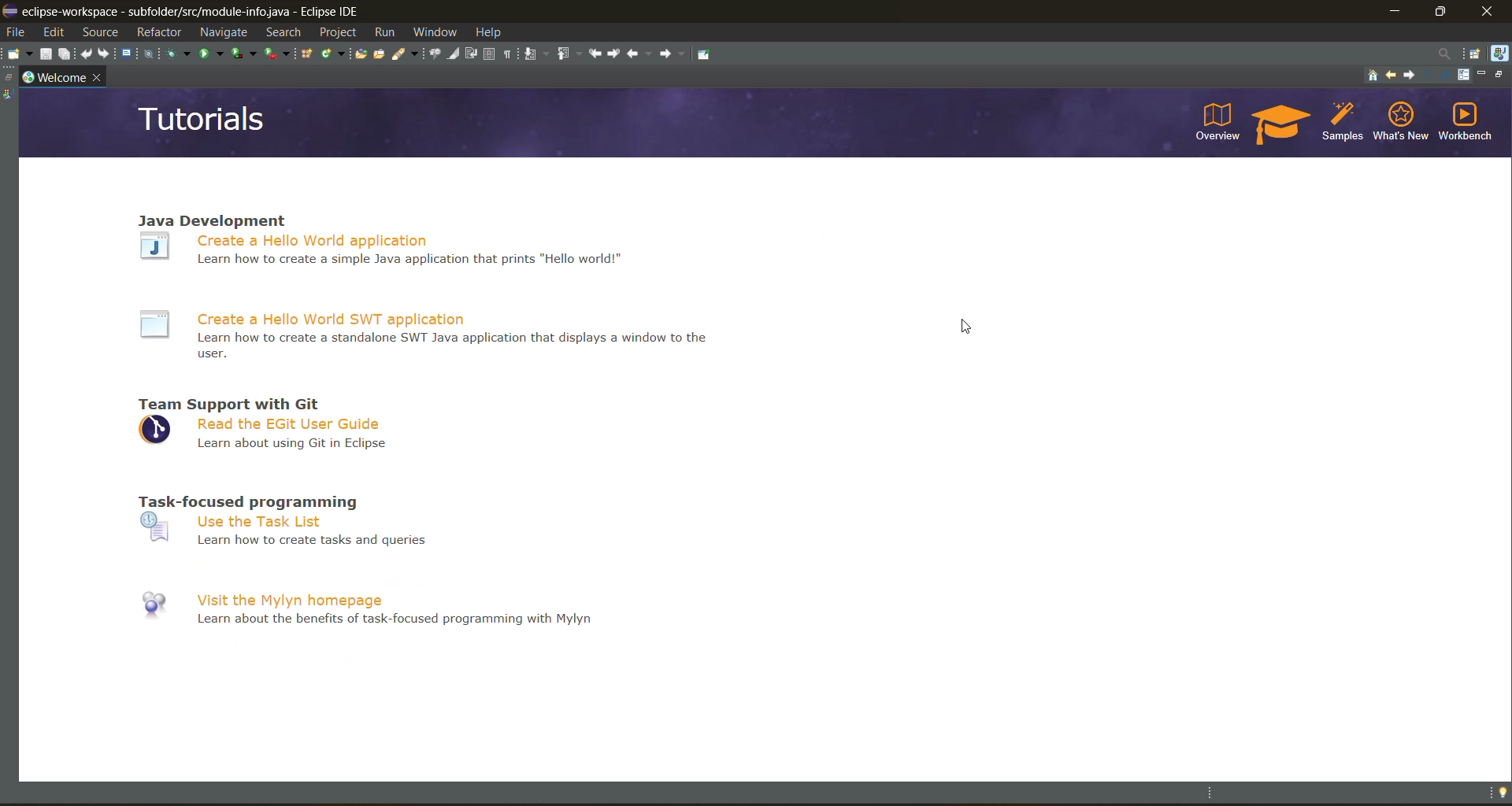 The image size is (1512, 806). Describe the element at coordinates (159, 35) in the screenshot. I see `refractor` at that location.